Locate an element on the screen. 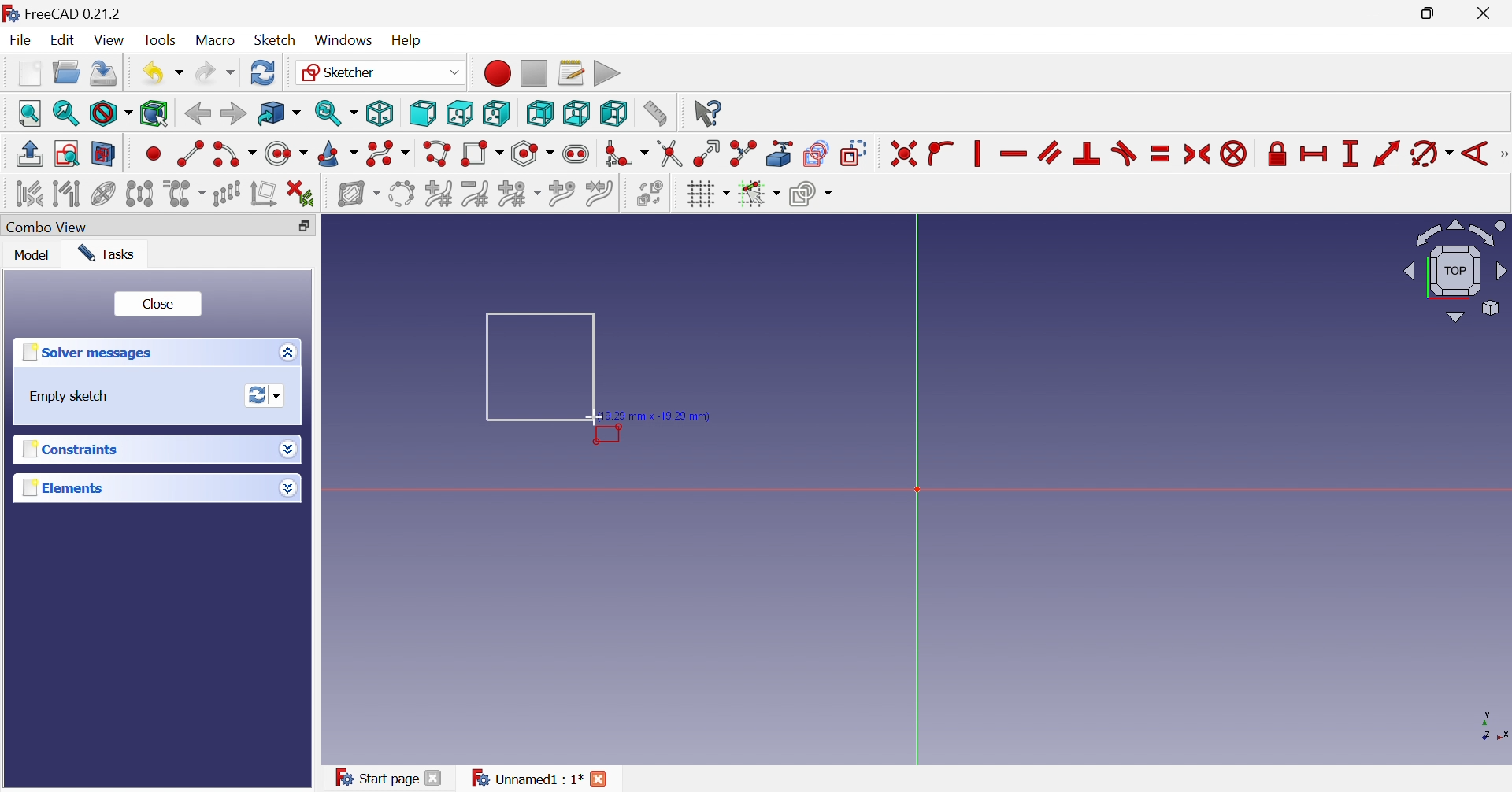 This screenshot has width=1512, height=792. Options is located at coordinates (284, 353).